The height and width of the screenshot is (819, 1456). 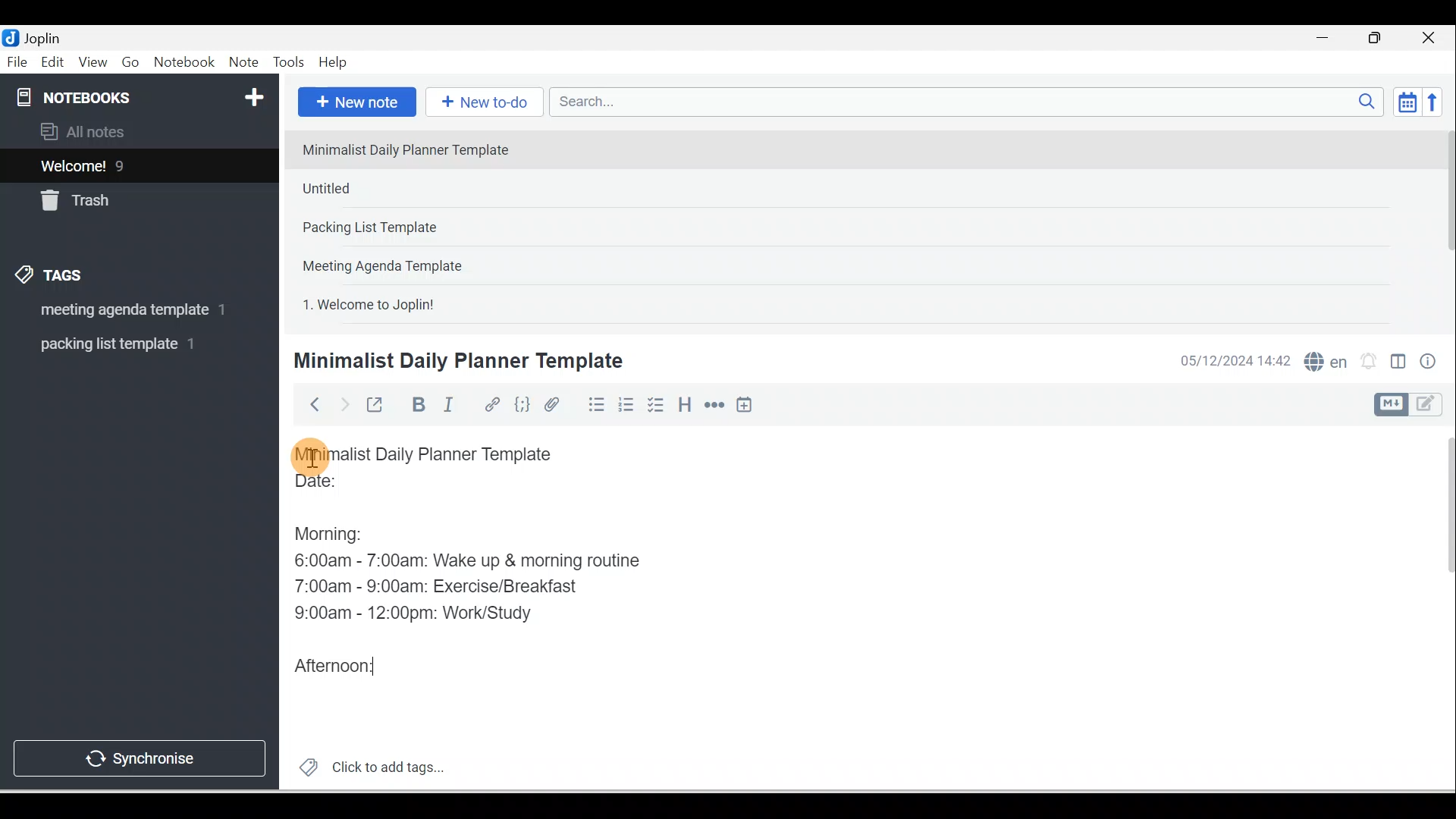 I want to click on Attach file, so click(x=556, y=404).